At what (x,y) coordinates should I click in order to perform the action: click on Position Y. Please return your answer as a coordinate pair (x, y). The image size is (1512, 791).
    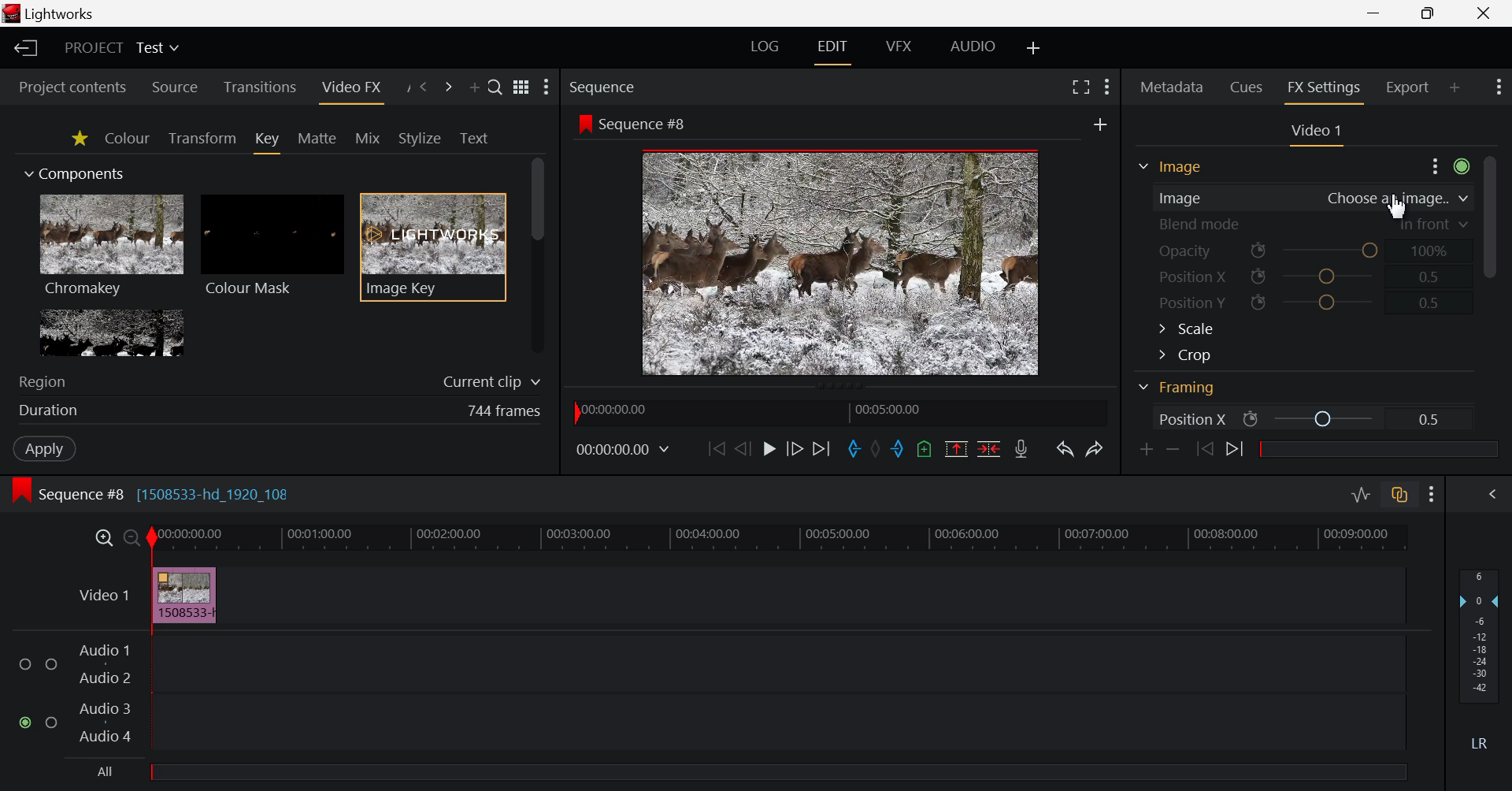
    Looking at the image, I should click on (1190, 303).